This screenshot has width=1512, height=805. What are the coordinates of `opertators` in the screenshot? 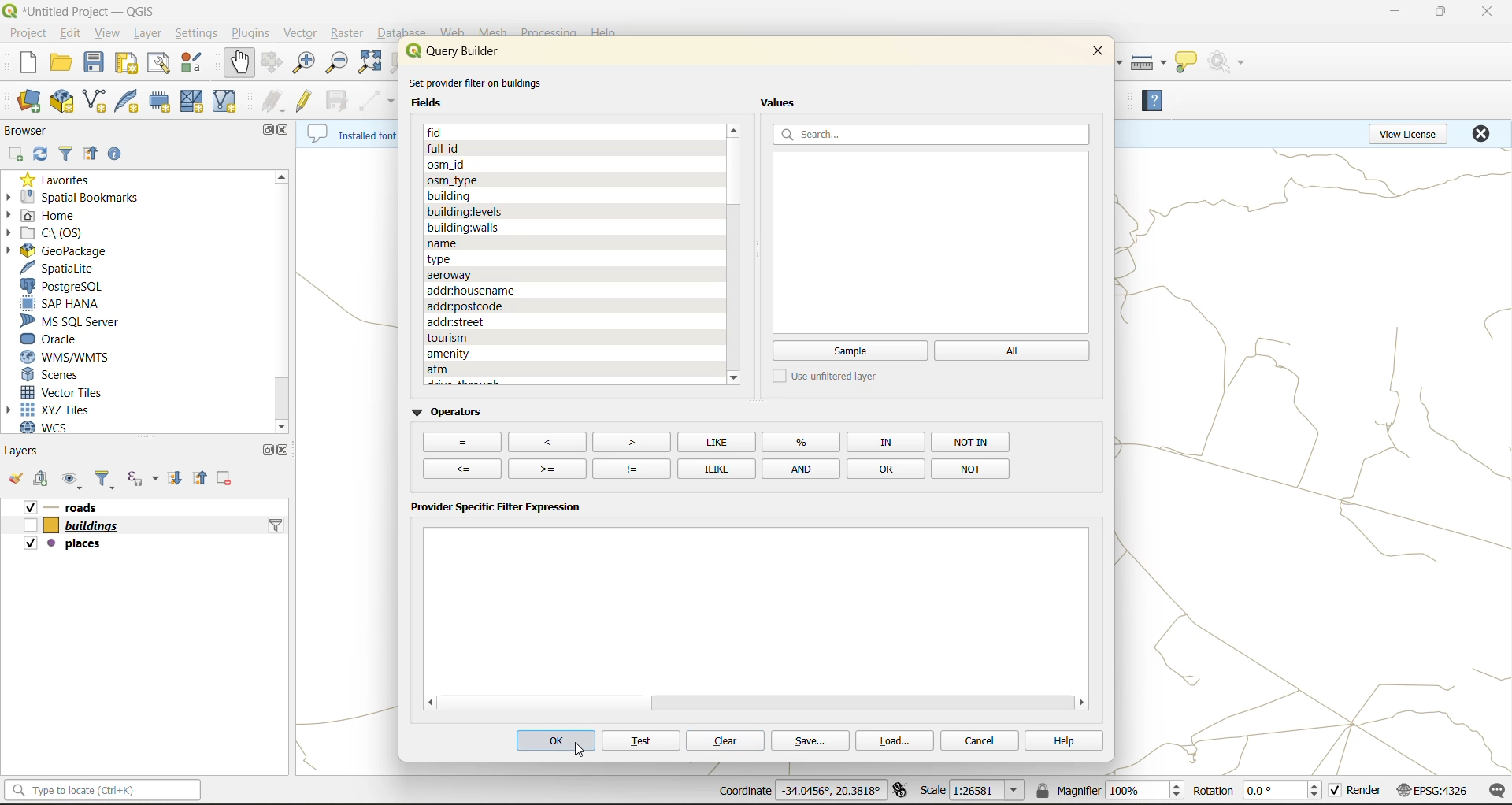 It's located at (465, 468).